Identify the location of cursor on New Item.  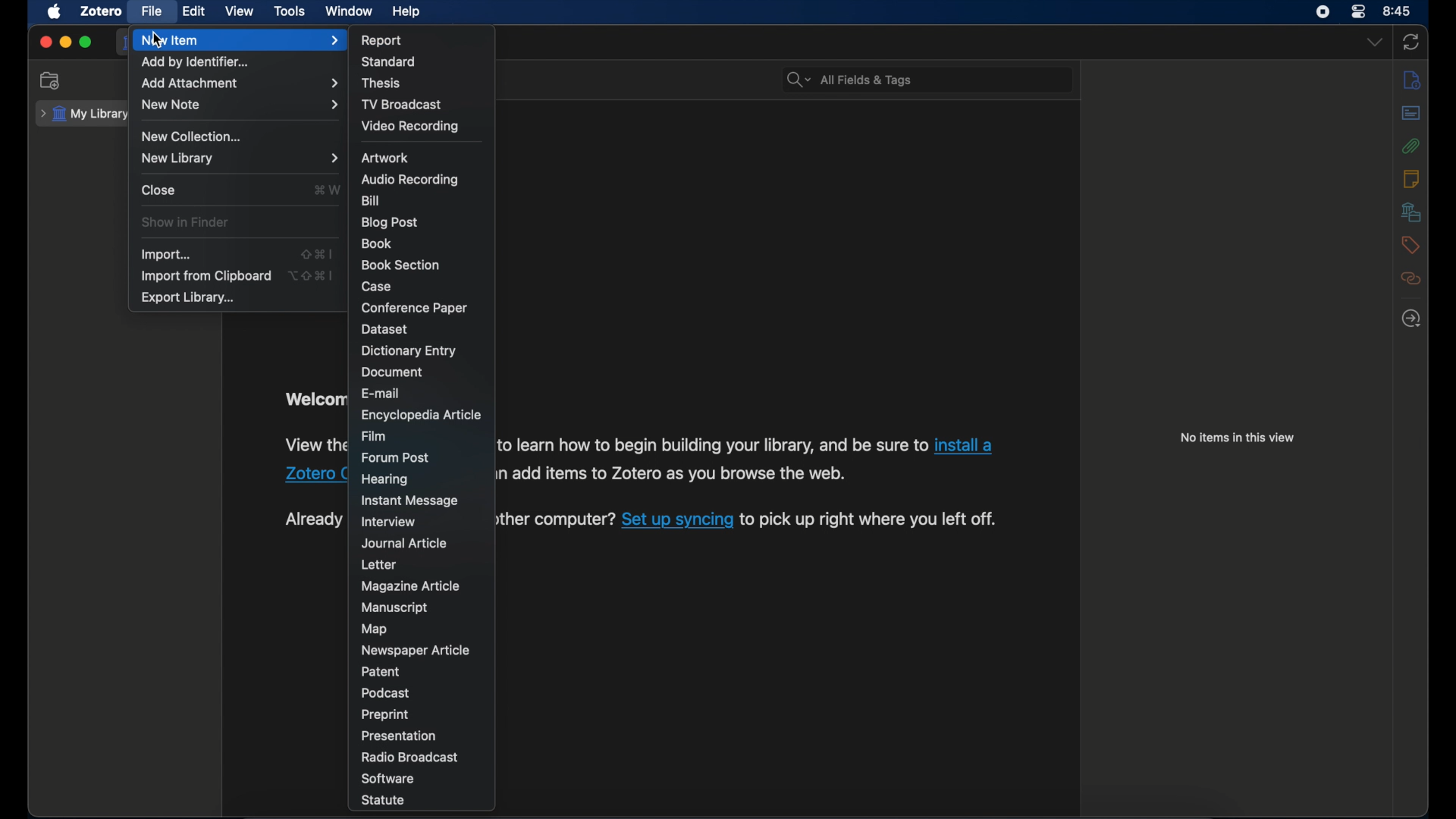
(156, 39).